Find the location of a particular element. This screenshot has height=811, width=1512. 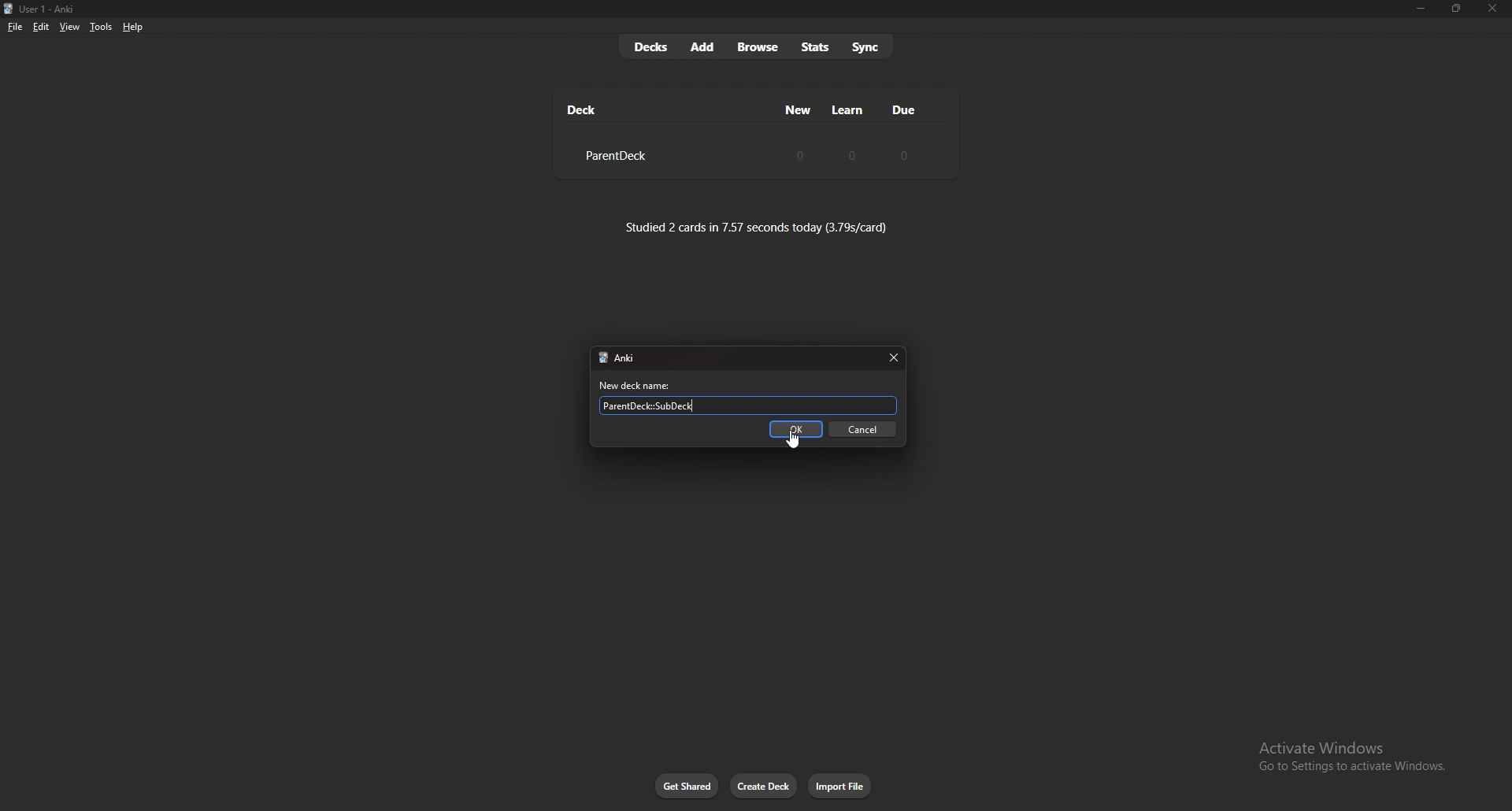

0 is located at coordinates (800, 154).